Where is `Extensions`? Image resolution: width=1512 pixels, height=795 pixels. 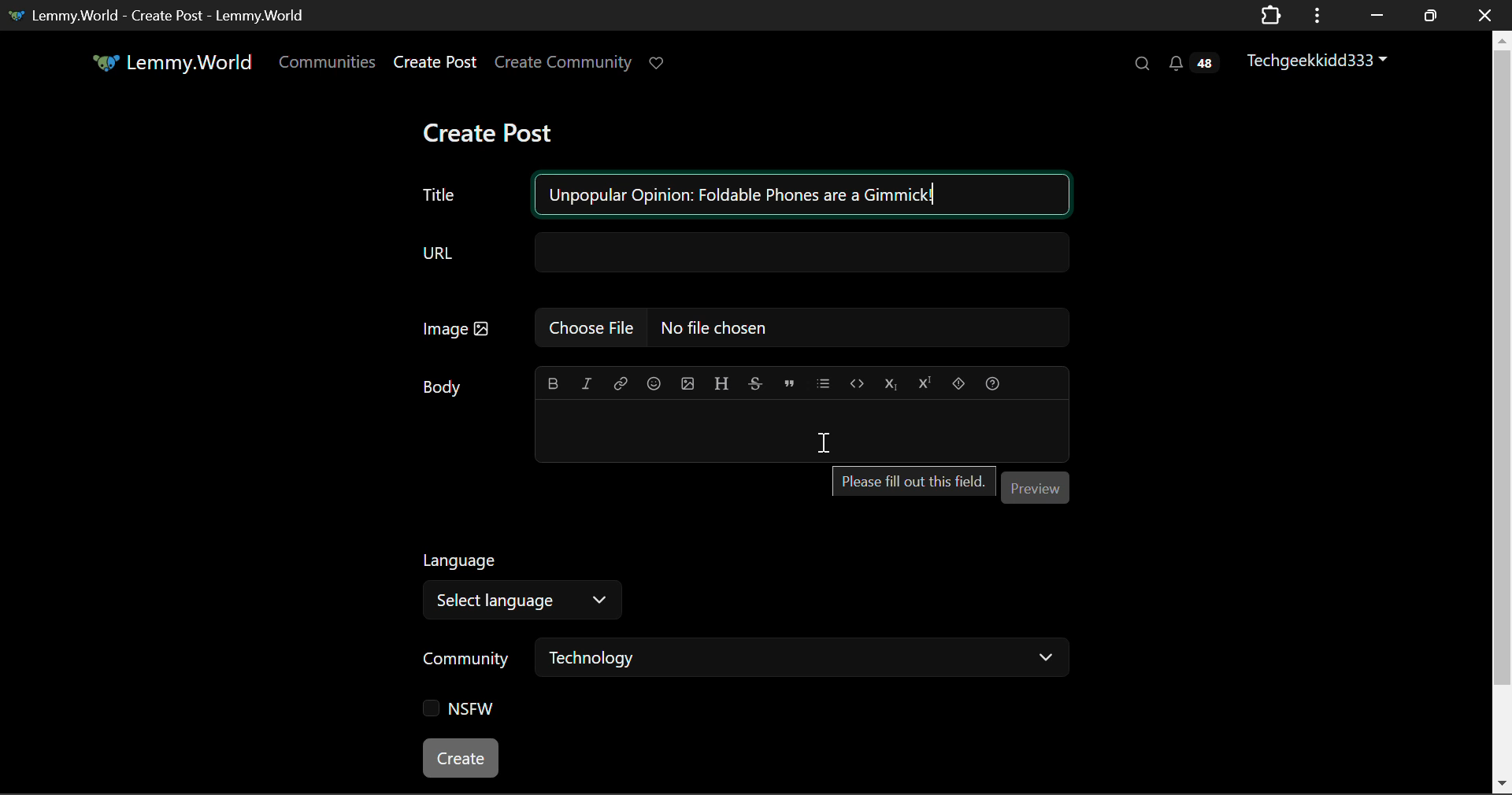
Extensions is located at coordinates (1270, 14).